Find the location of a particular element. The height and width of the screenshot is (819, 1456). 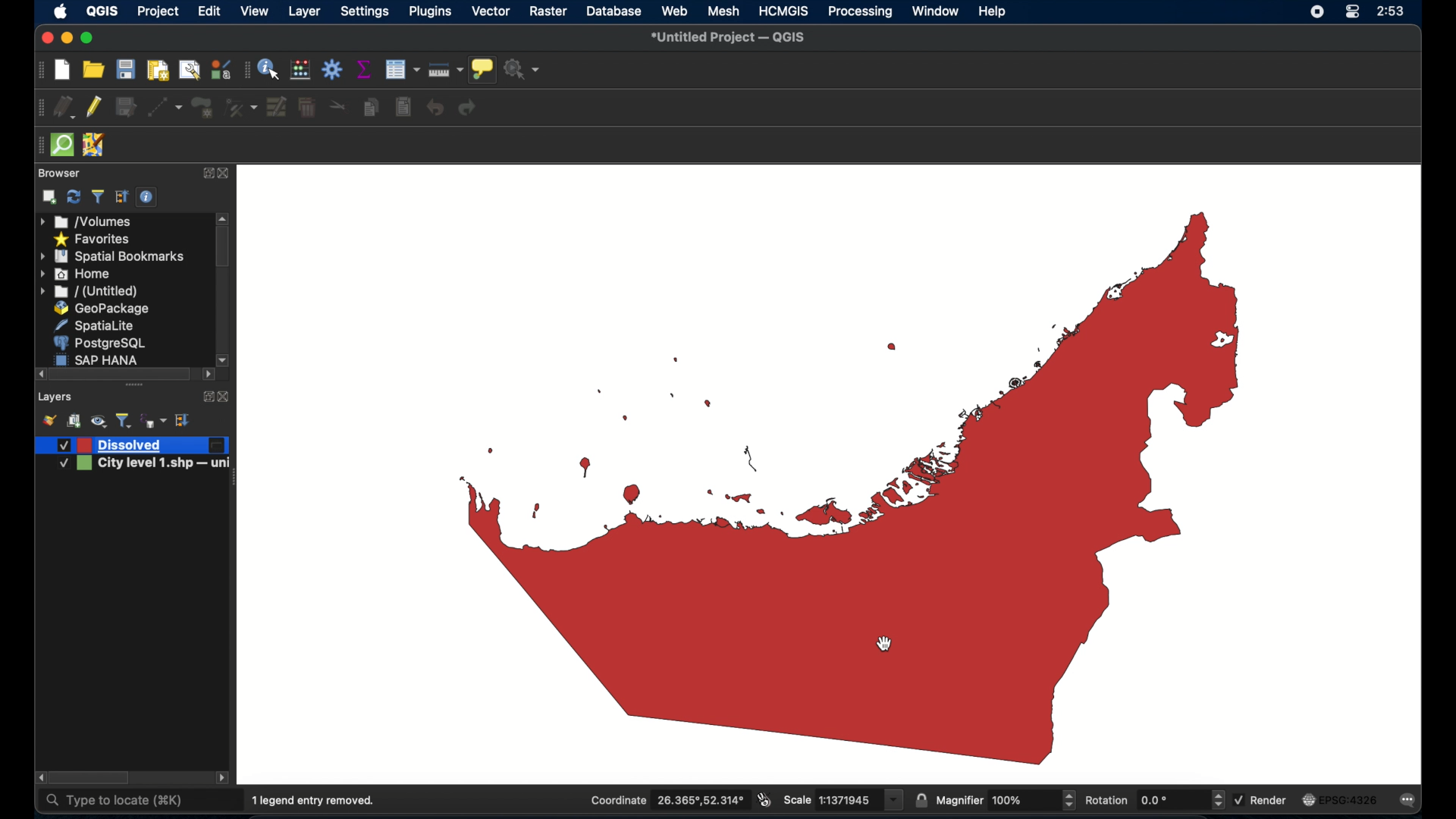

layer is located at coordinates (305, 13).